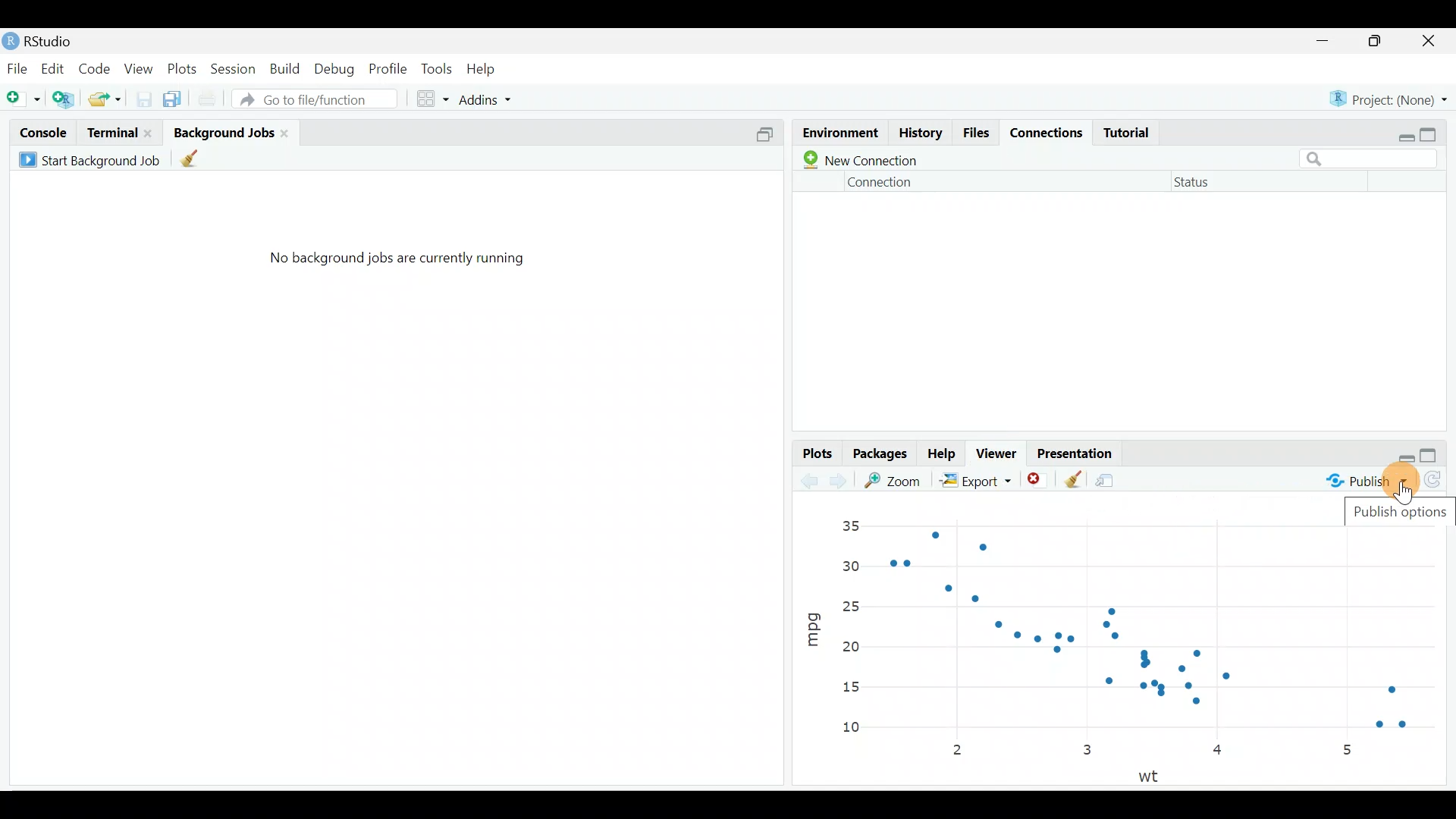  I want to click on 35, so click(850, 526).